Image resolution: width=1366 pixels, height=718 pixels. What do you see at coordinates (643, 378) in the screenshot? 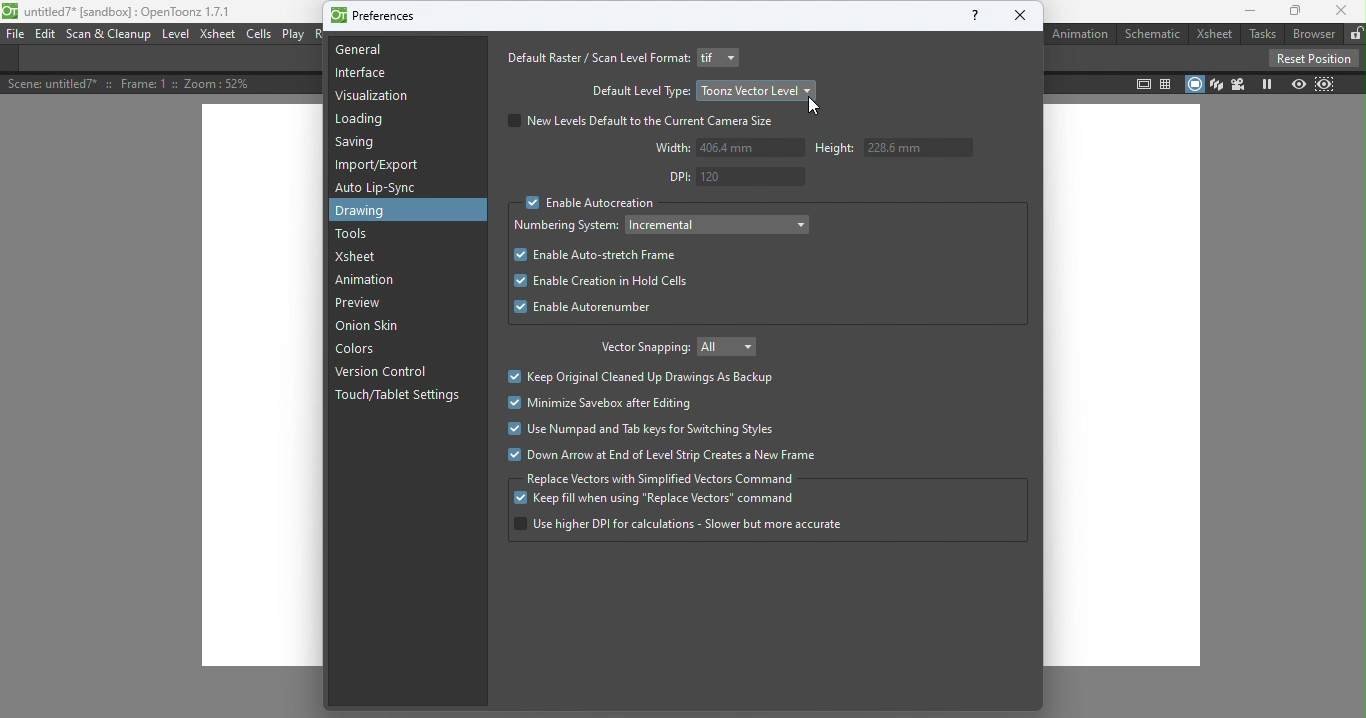
I see `Keep original cleaned up drawings as backup` at bounding box center [643, 378].